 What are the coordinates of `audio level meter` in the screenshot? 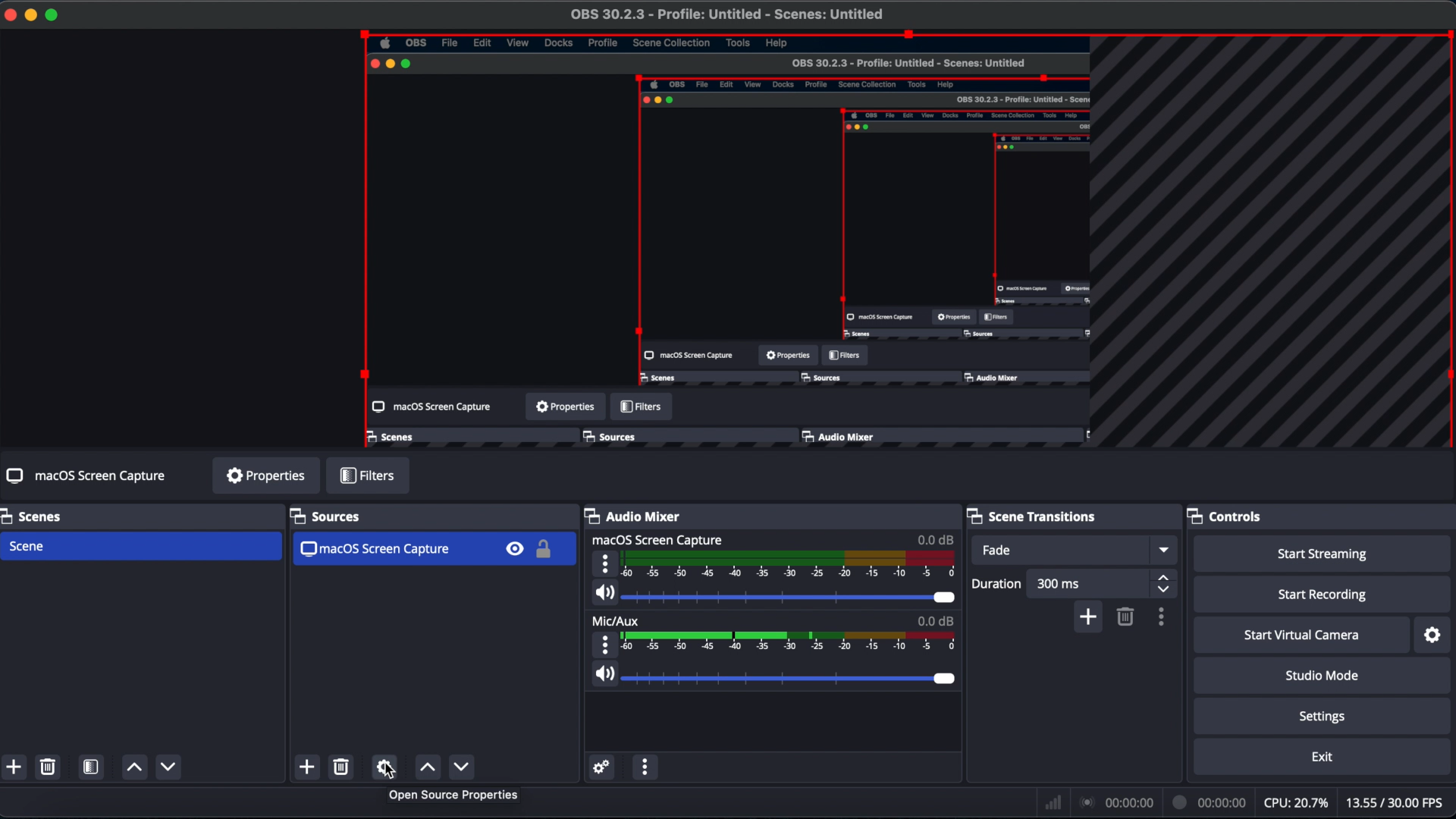 It's located at (791, 566).